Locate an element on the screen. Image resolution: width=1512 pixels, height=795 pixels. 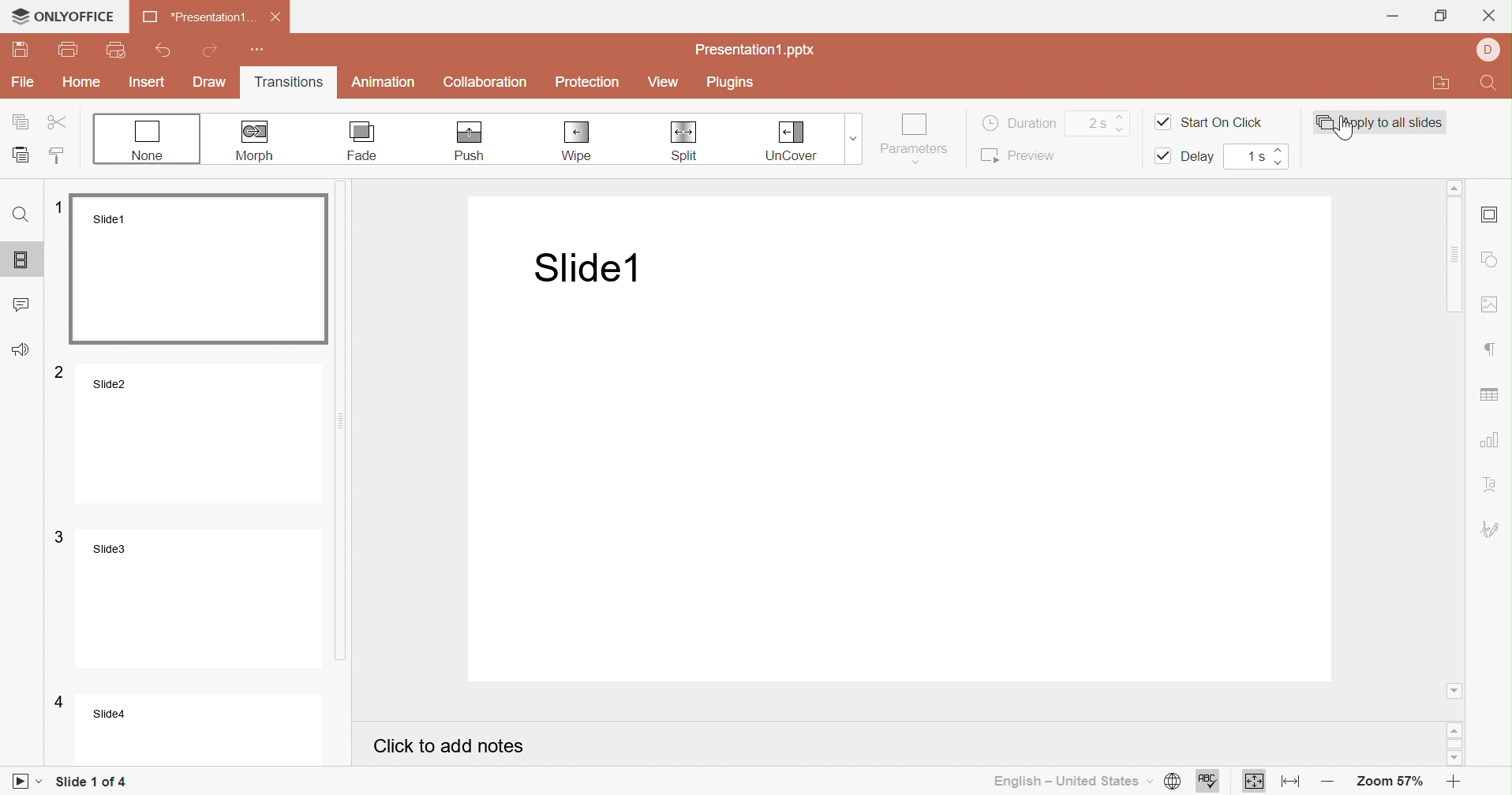
Feedback & Support is located at coordinates (24, 351).